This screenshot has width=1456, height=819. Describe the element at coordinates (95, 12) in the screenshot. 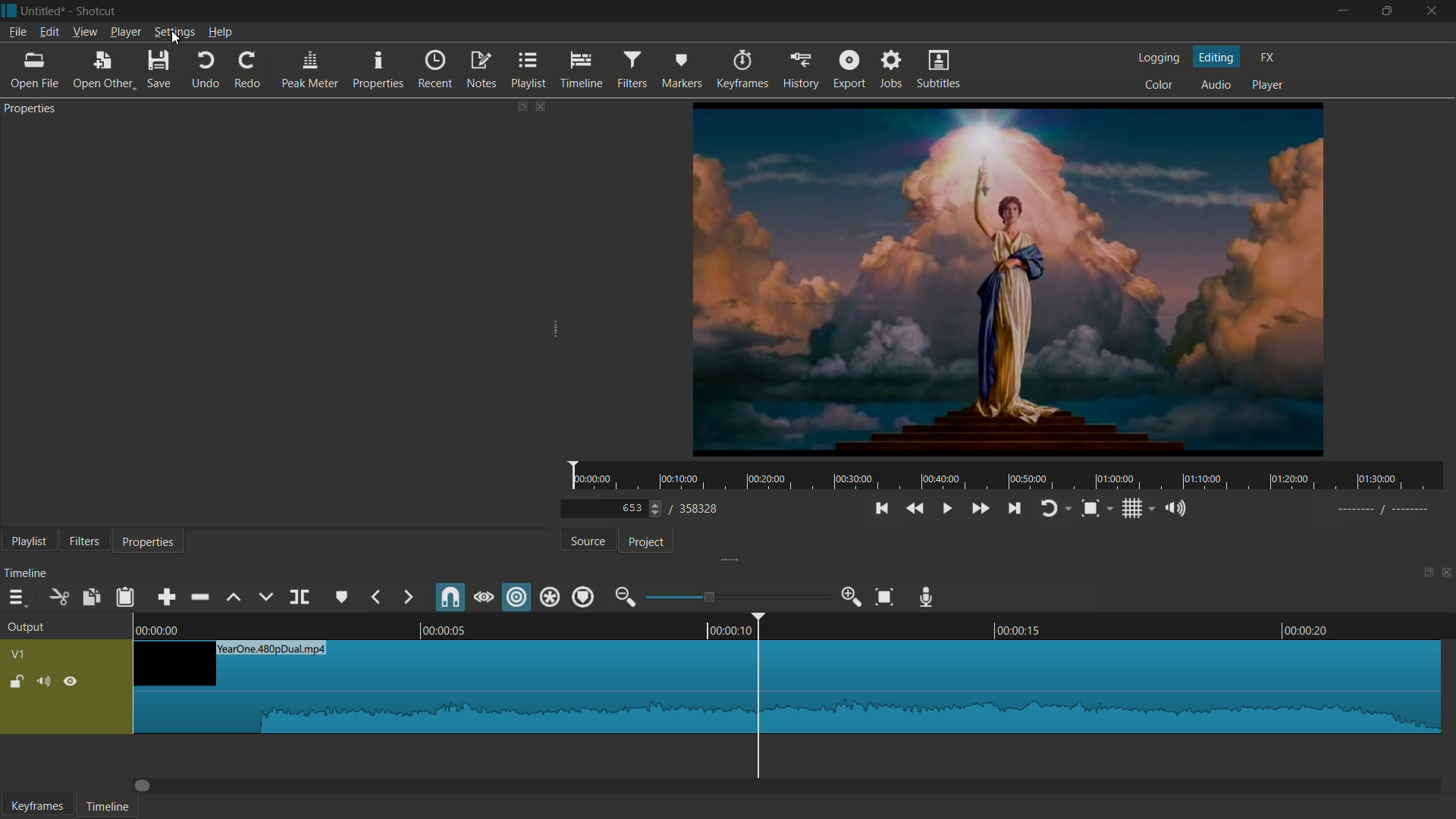

I see `app name` at that location.